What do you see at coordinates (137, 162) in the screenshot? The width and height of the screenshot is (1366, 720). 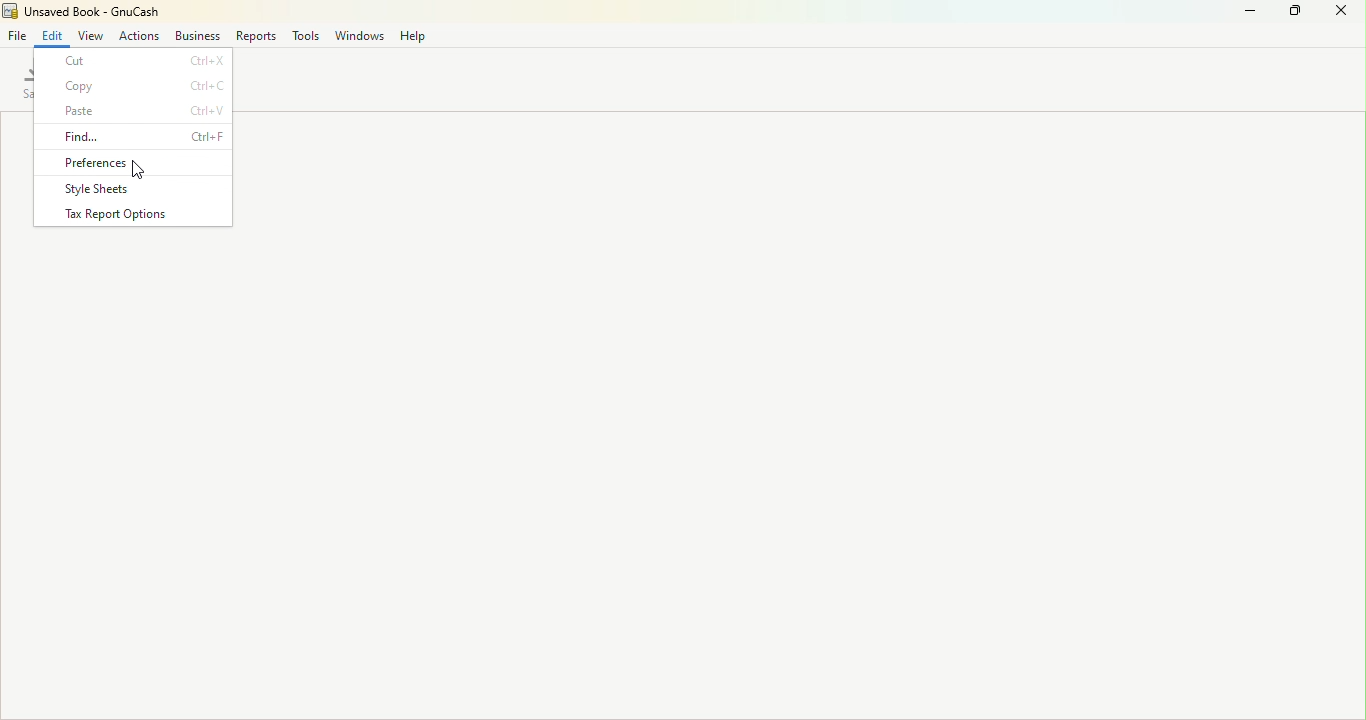 I see `Preference` at bounding box center [137, 162].